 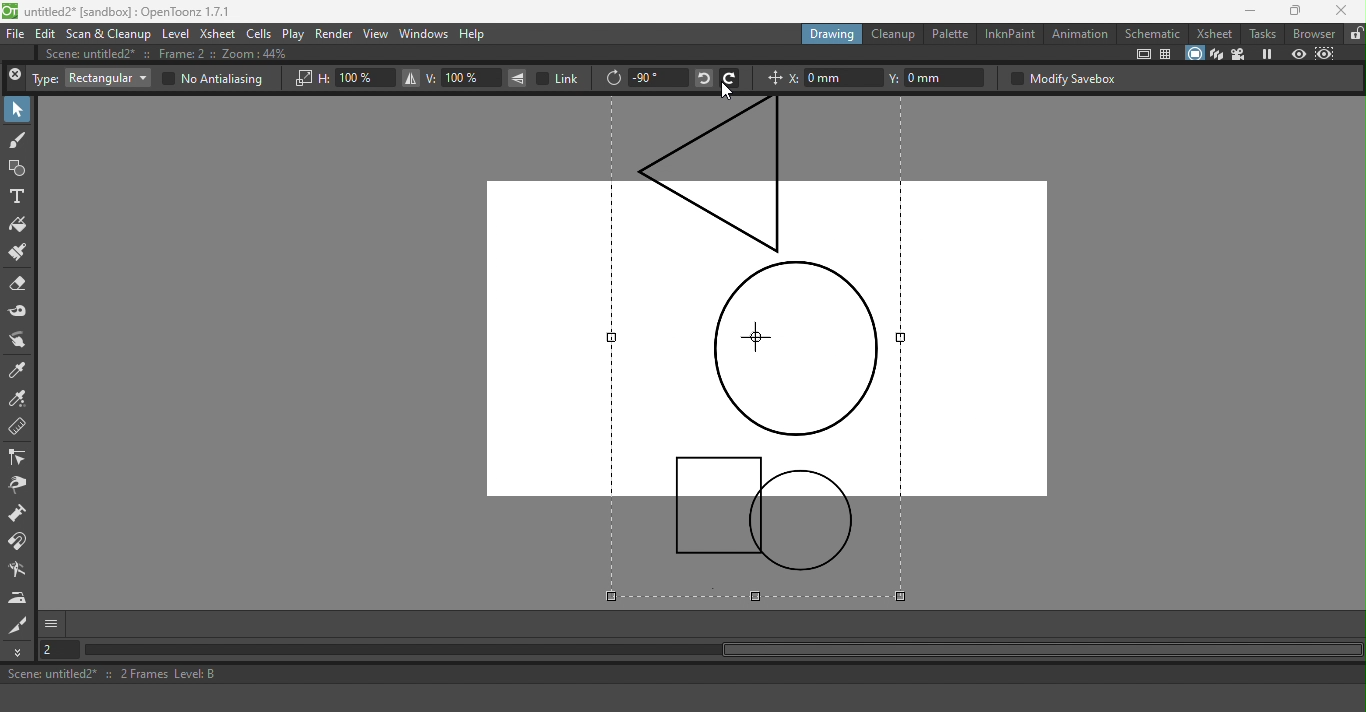 I want to click on Cutter tool, so click(x=18, y=625).